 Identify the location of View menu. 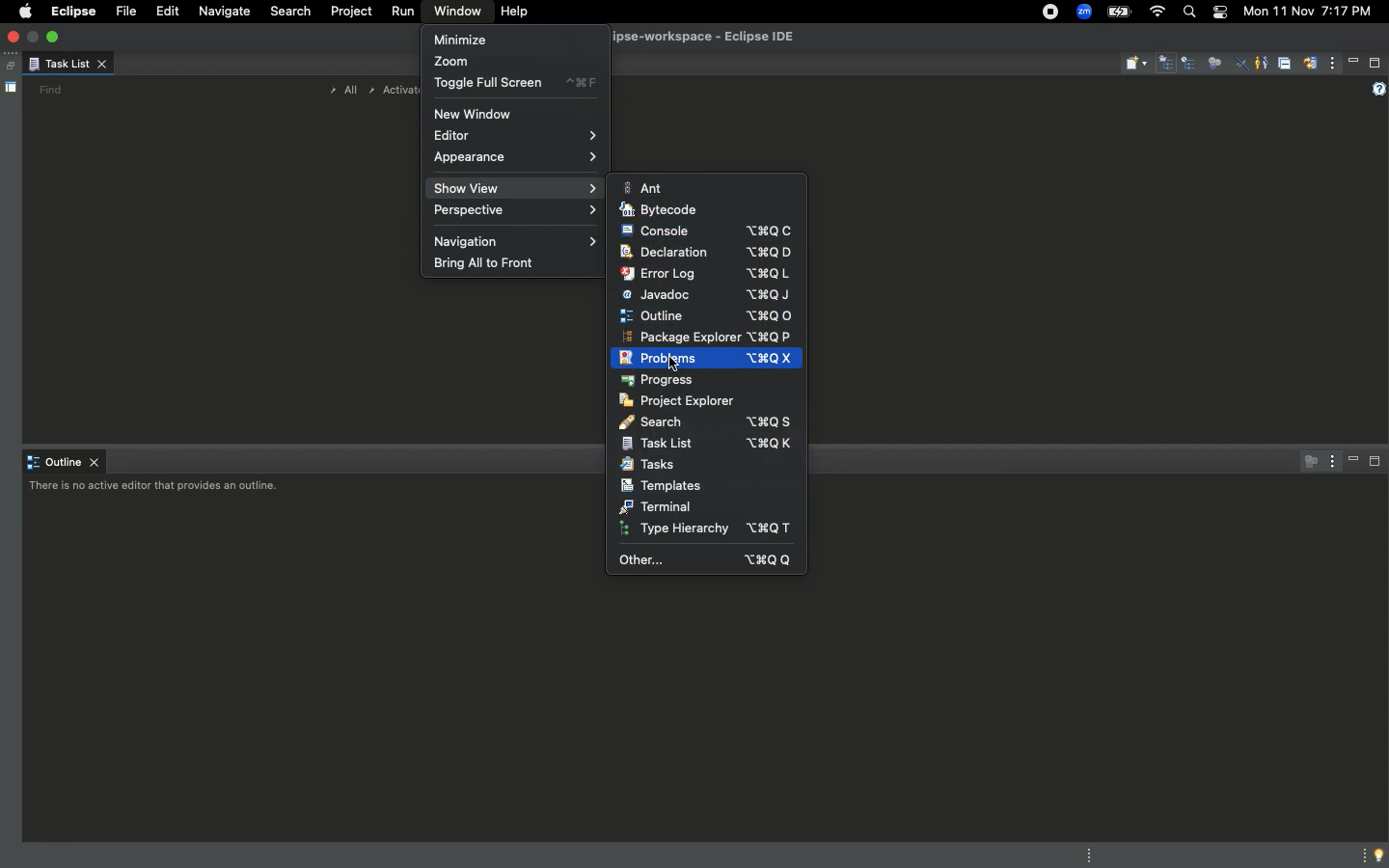
(1329, 460).